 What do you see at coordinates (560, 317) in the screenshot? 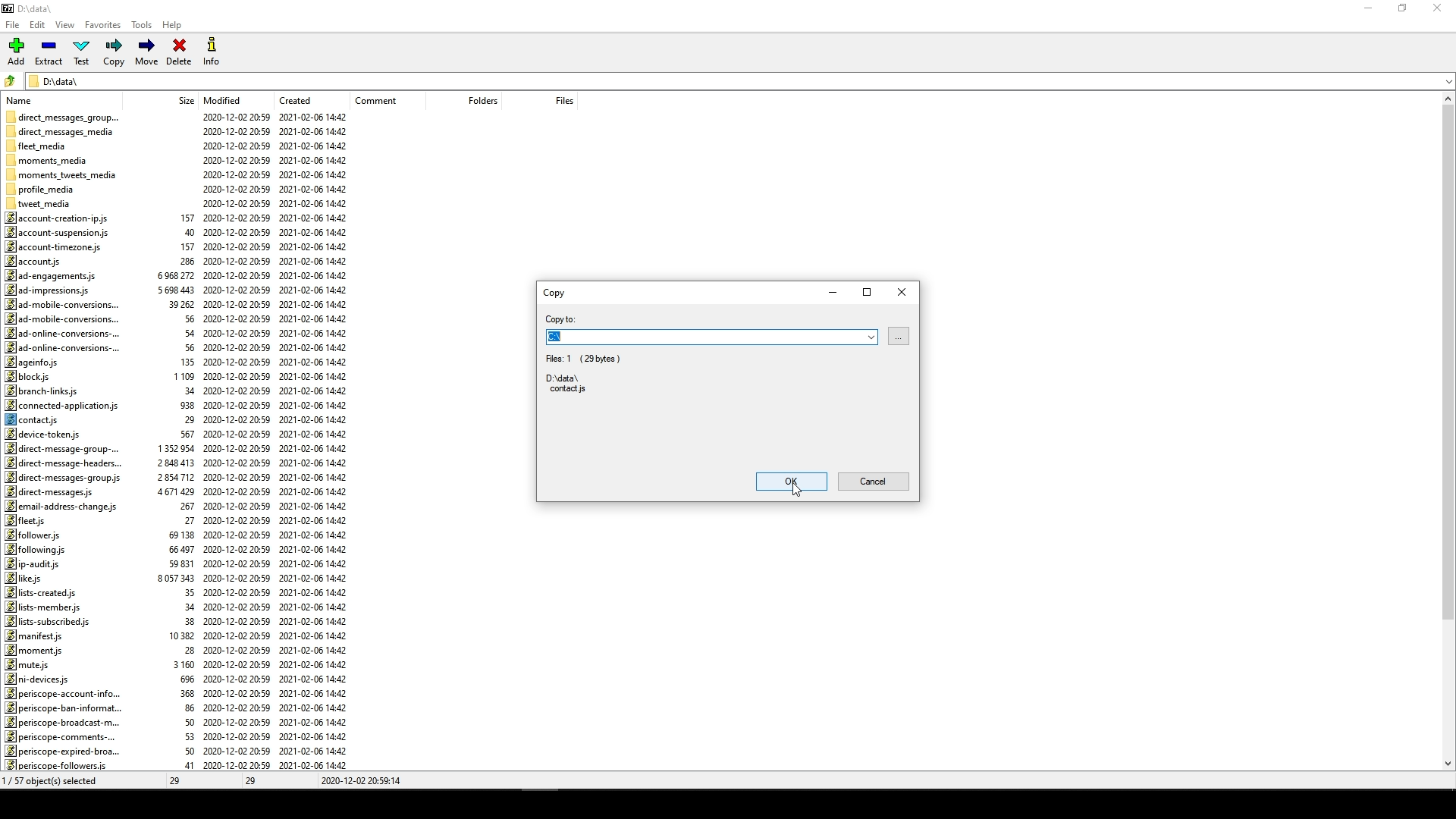
I see `copy to` at bounding box center [560, 317].